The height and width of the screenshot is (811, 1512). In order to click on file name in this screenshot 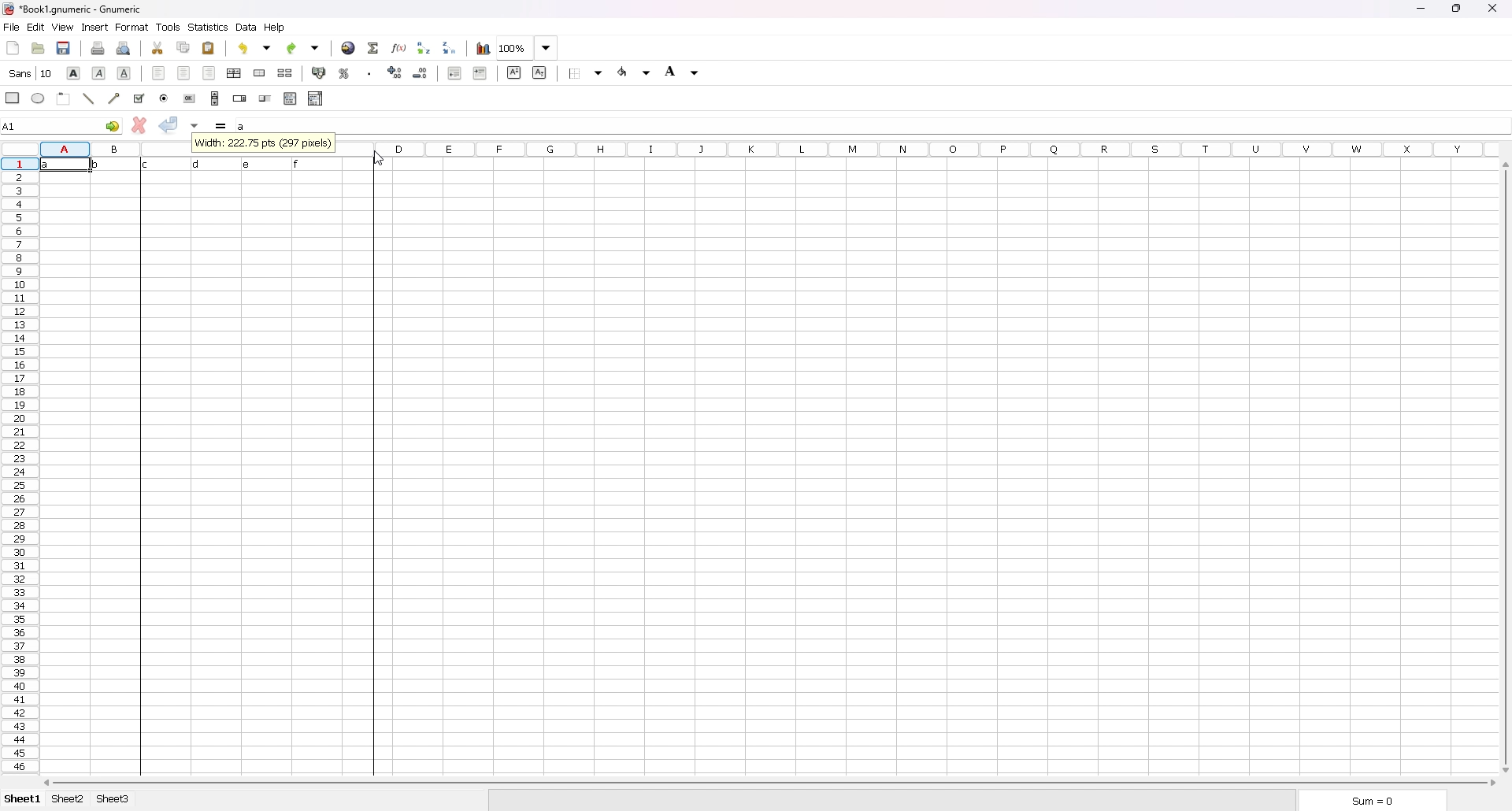, I will do `click(74, 9)`.